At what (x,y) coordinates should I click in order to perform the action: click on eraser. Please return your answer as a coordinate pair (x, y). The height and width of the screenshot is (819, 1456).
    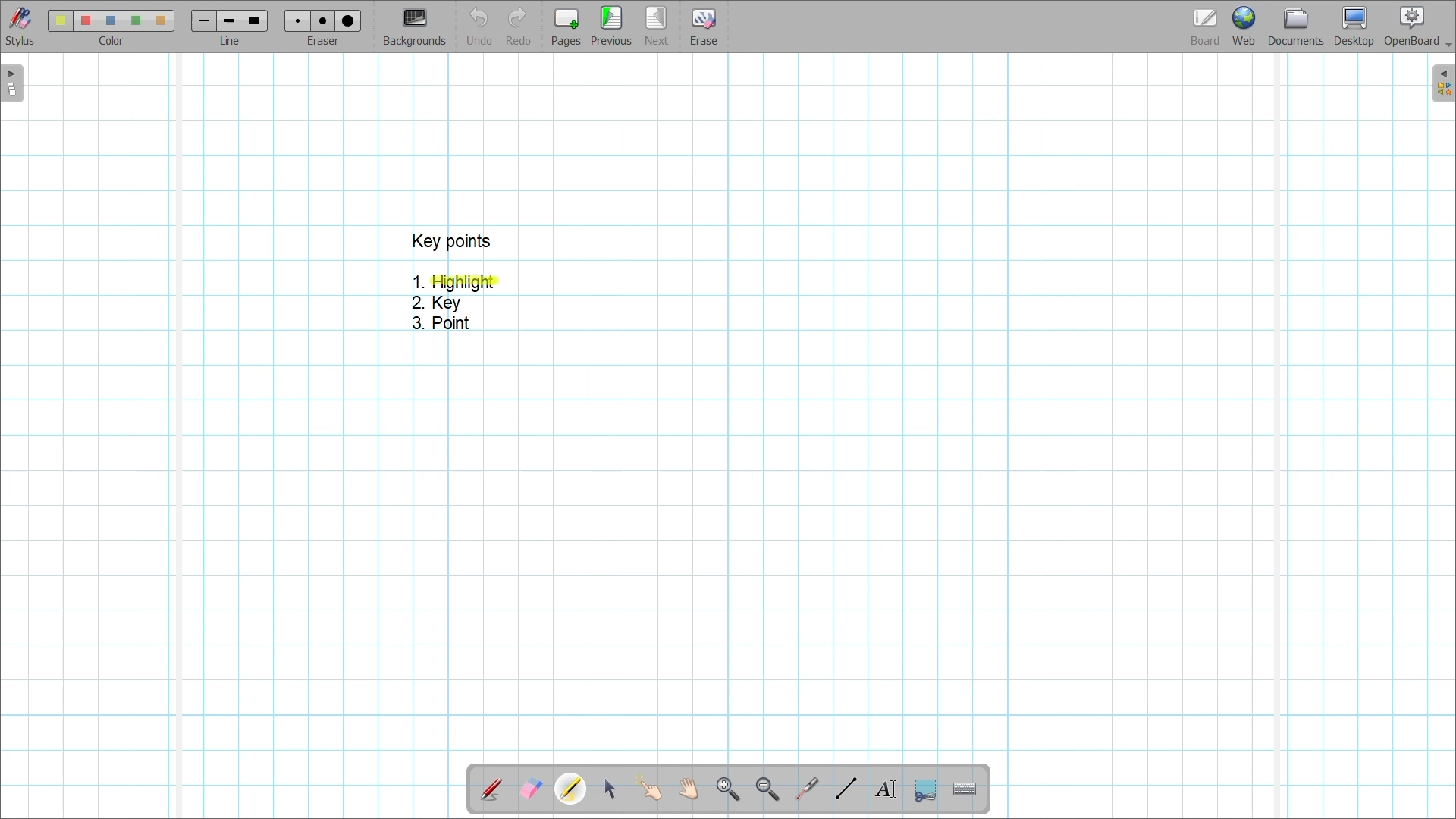
    Looking at the image, I should click on (326, 42).